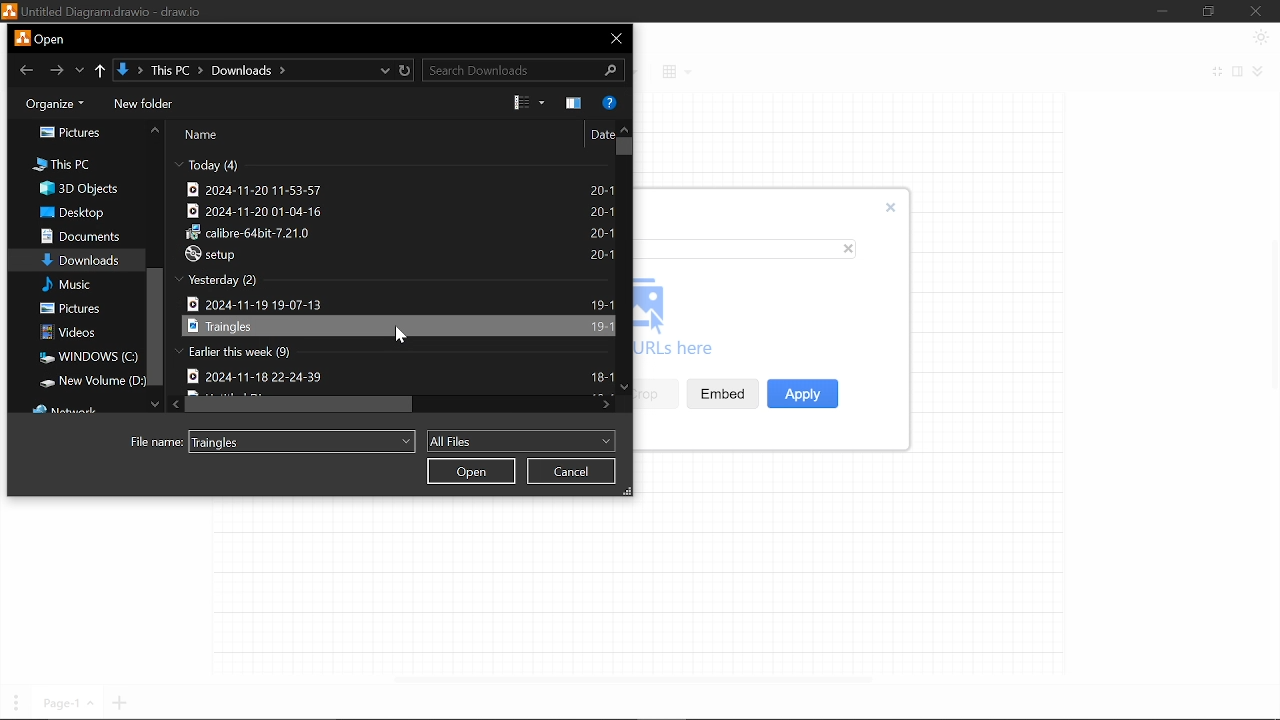  What do you see at coordinates (802, 394) in the screenshot?
I see `Apply` at bounding box center [802, 394].